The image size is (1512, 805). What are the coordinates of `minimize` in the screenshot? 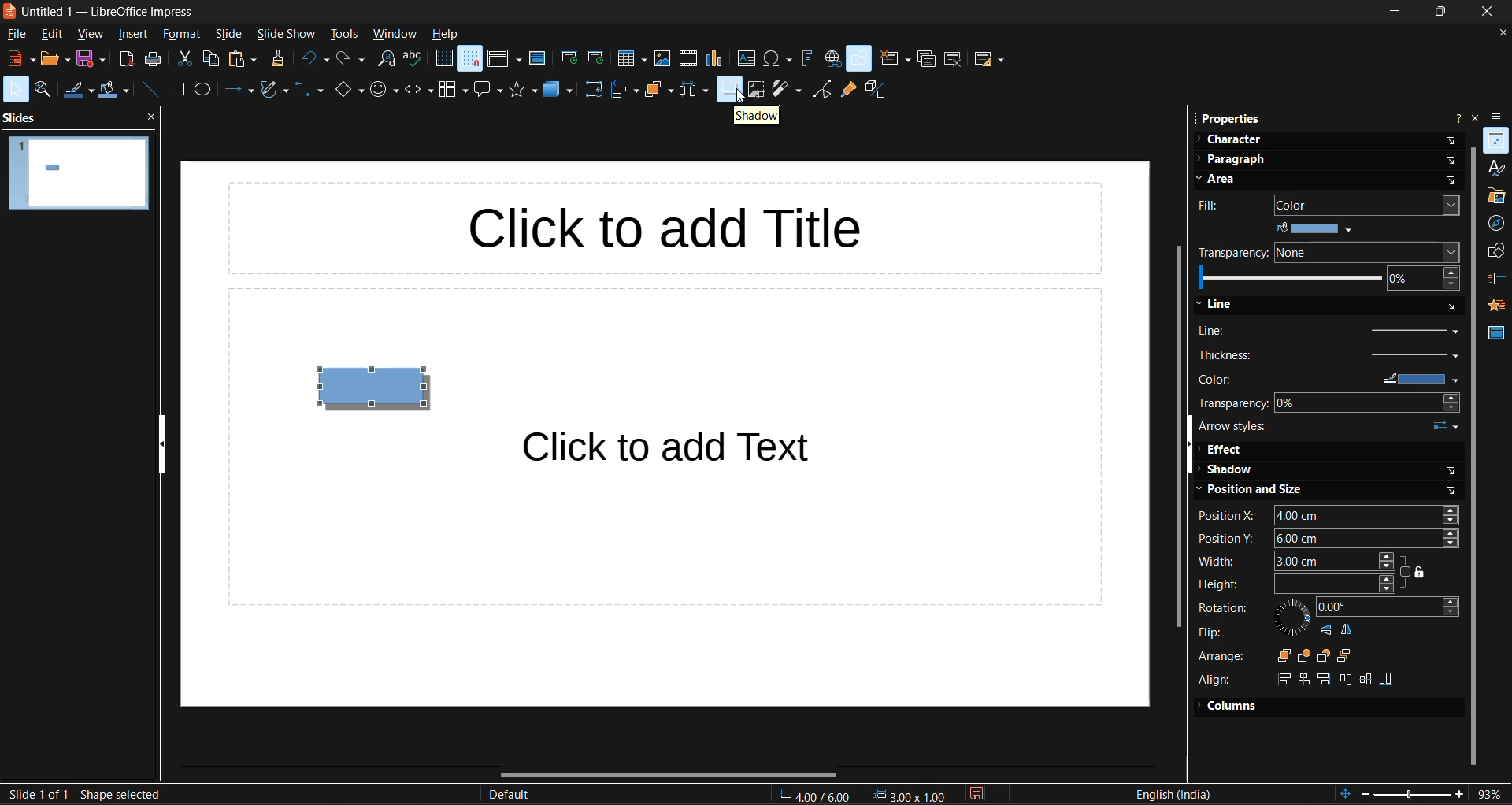 It's located at (1387, 14).